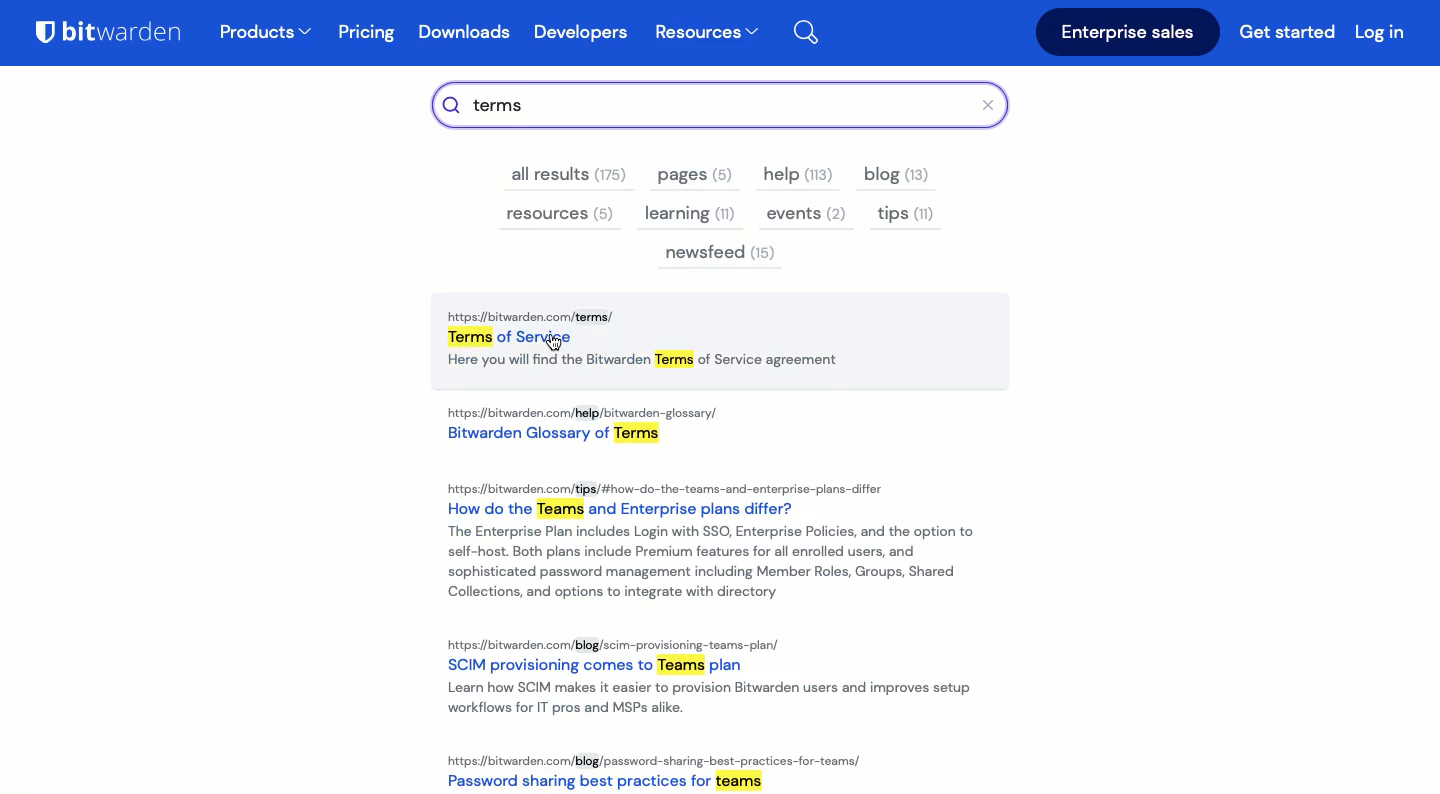 This screenshot has height=794, width=1440. I want to click on https:/bitwarden.com/tips/#how-do-the-teams-and-enterprise-plans-differ

How do the Teams and Enterprise plans differ?

The Enterprise Plan includes Login with SSO, Enterprise Policies, and the option to
self-host. Both plans include Premium features for all enrolled users, and
sophisticated password management including Member Roles, Groups, Shared
Collections, and options to integrate with directory, so click(709, 542).